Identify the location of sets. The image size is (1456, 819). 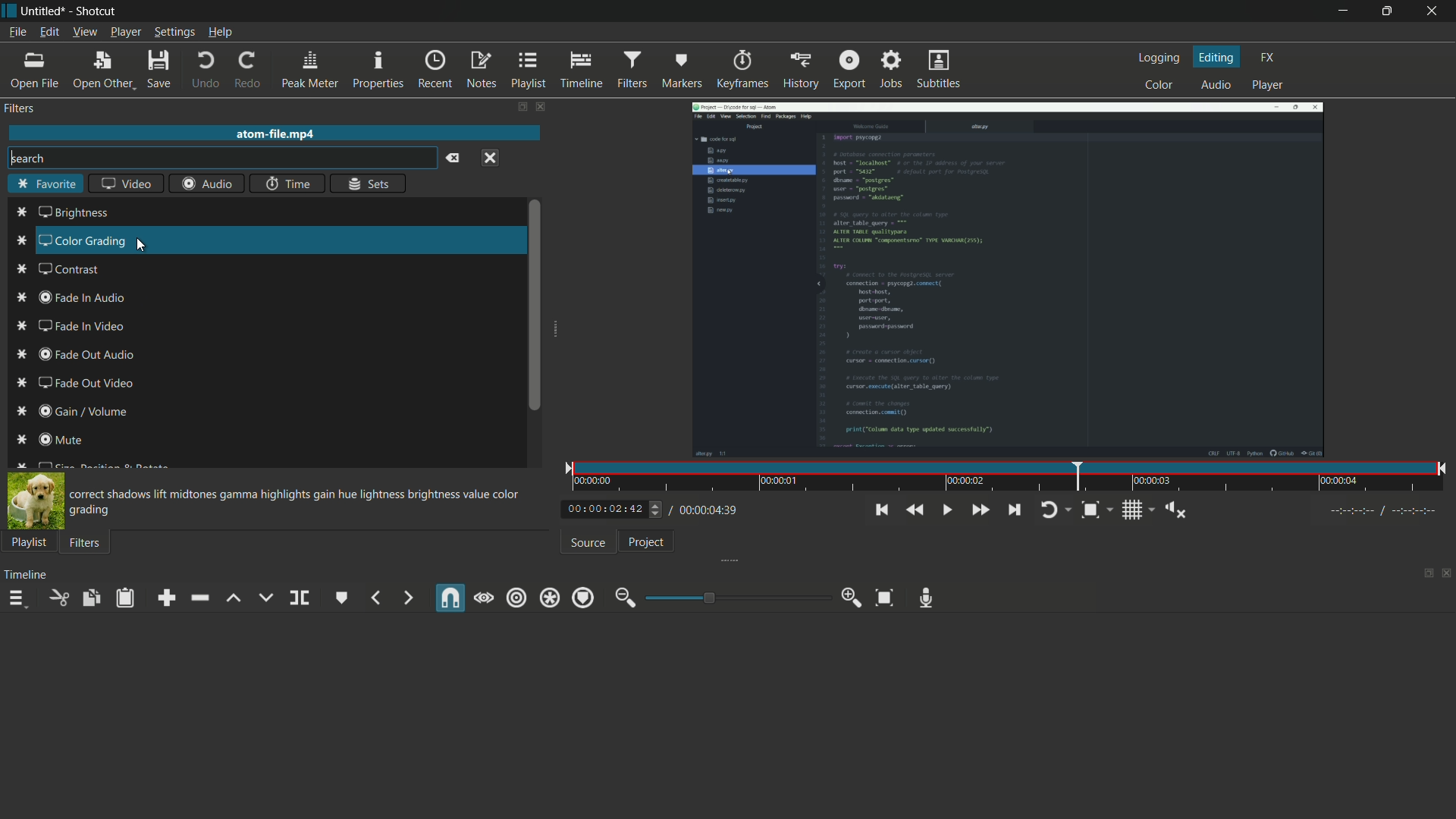
(370, 183).